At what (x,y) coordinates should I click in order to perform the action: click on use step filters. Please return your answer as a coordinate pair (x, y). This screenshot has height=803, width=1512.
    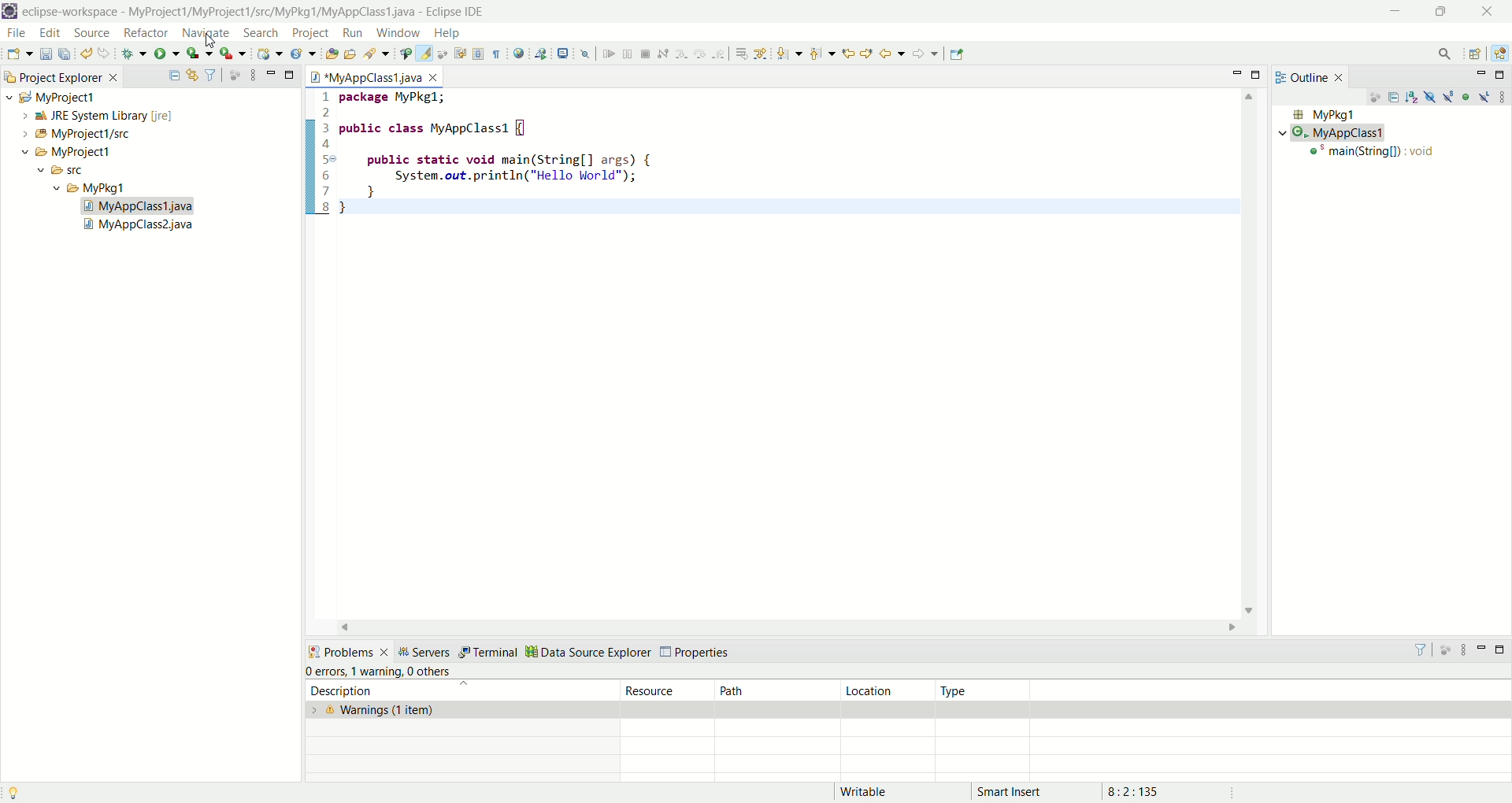
    Looking at the image, I should click on (760, 54).